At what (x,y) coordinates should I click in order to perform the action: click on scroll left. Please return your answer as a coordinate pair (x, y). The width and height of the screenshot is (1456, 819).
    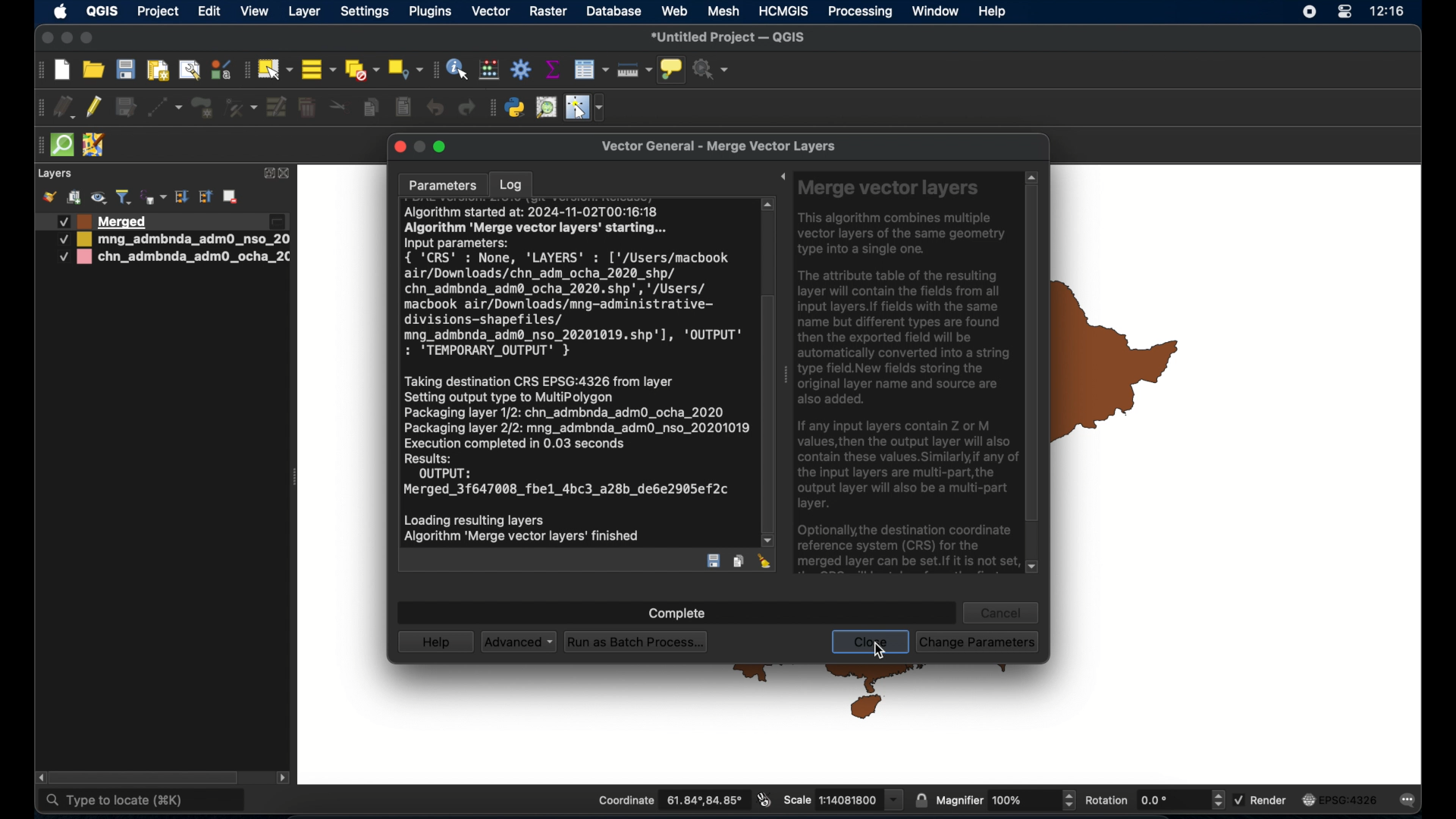
    Looking at the image, I should click on (41, 778).